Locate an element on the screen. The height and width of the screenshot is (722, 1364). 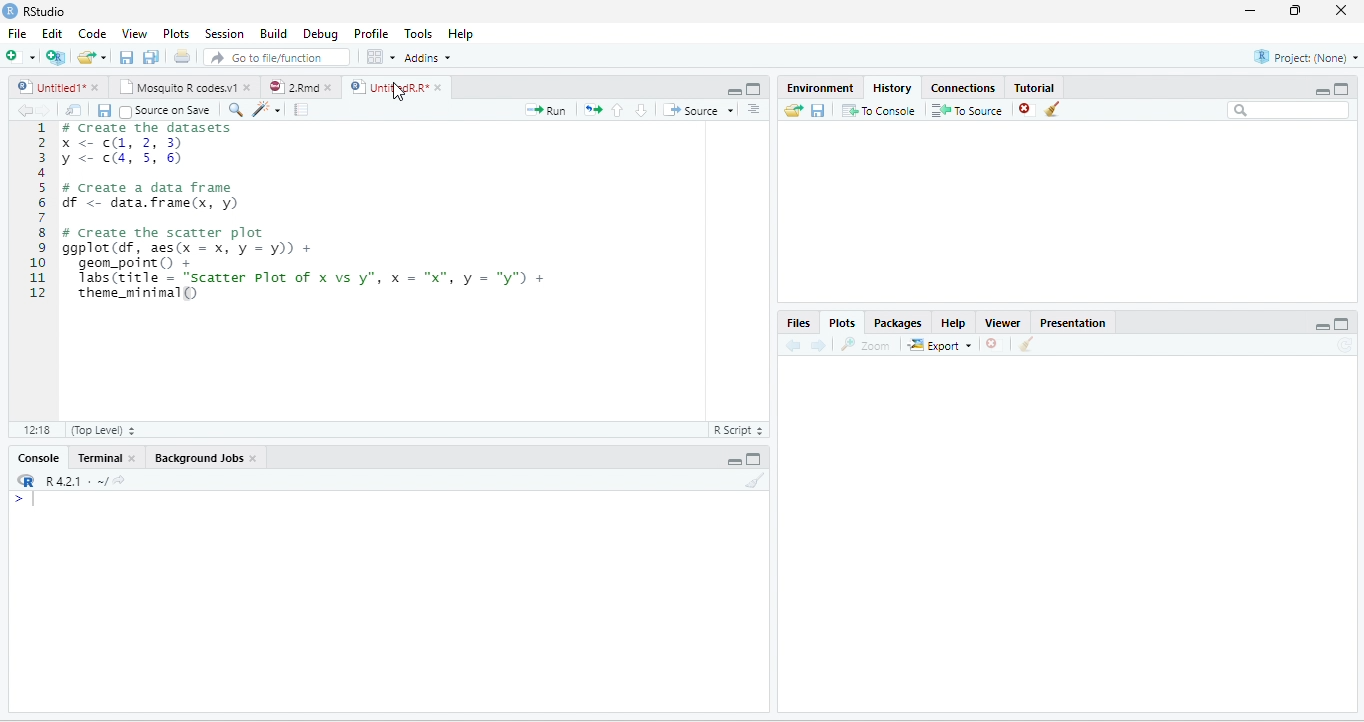
Remove the selected history entries is located at coordinates (1027, 110).